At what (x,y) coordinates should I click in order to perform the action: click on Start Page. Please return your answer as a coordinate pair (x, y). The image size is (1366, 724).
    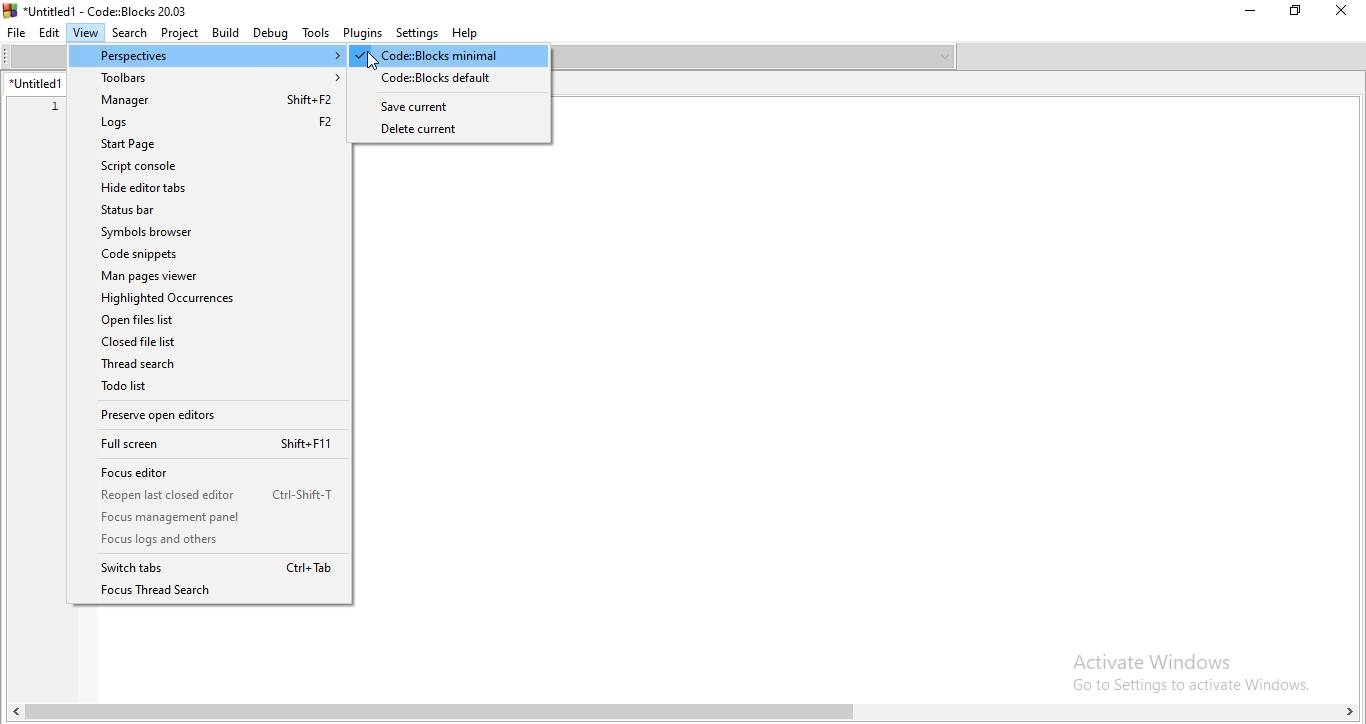
    Looking at the image, I should click on (210, 145).